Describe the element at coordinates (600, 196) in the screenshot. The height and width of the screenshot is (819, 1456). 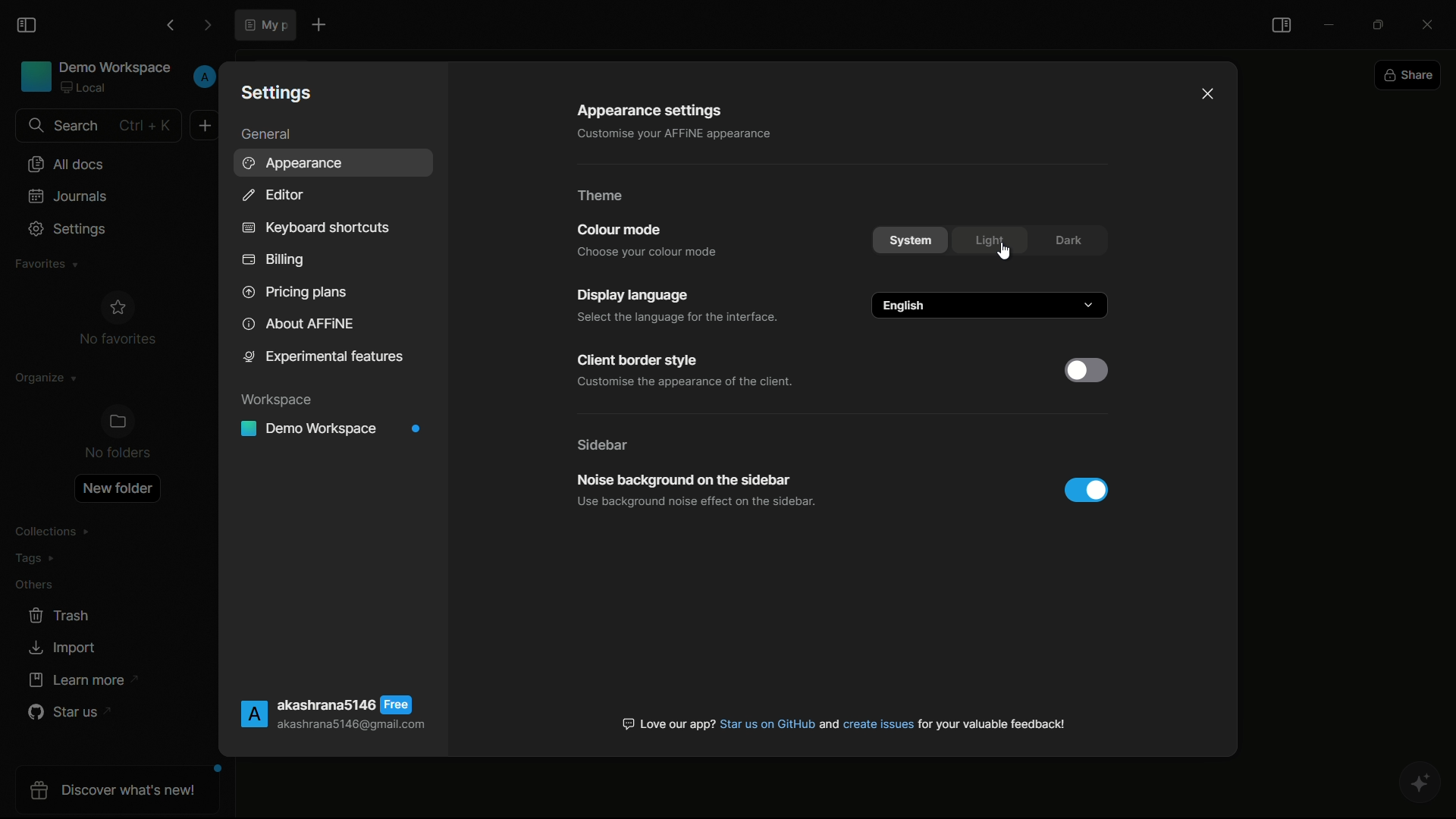
I see `theme` at that location.